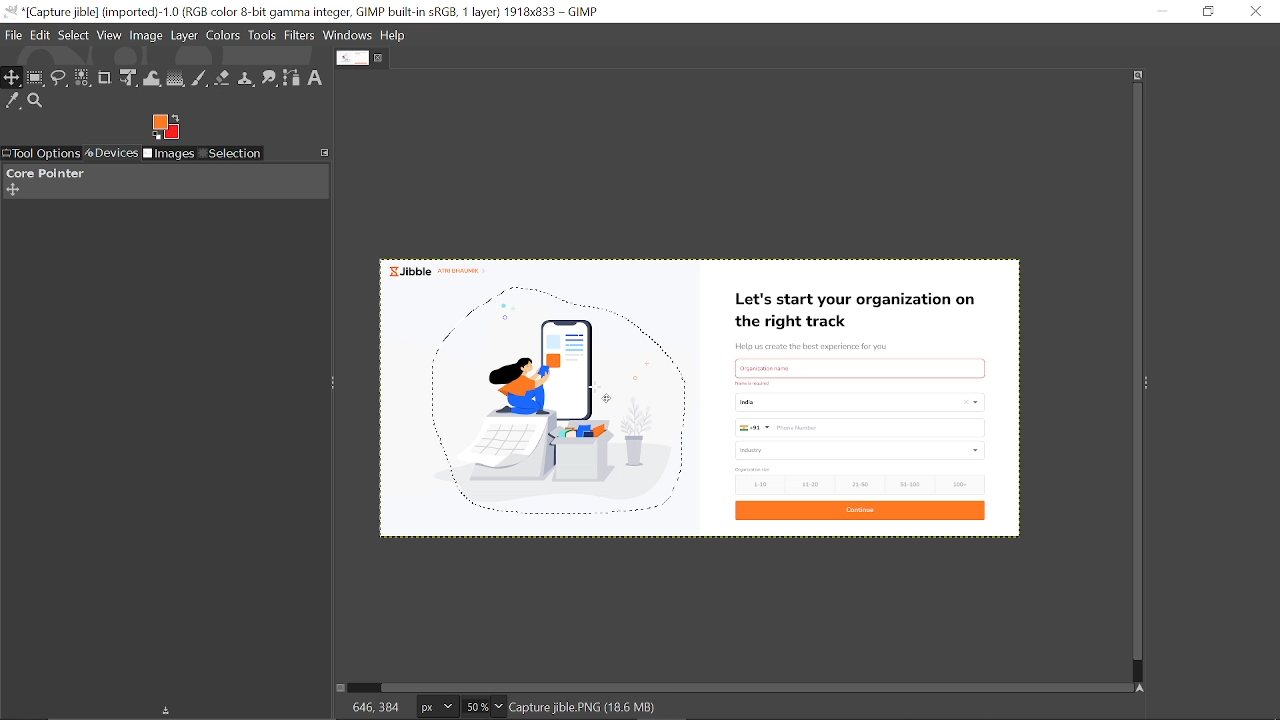  Describe the element at coordinates (110, 154) in the screenshot. I see `Devices` at that location.